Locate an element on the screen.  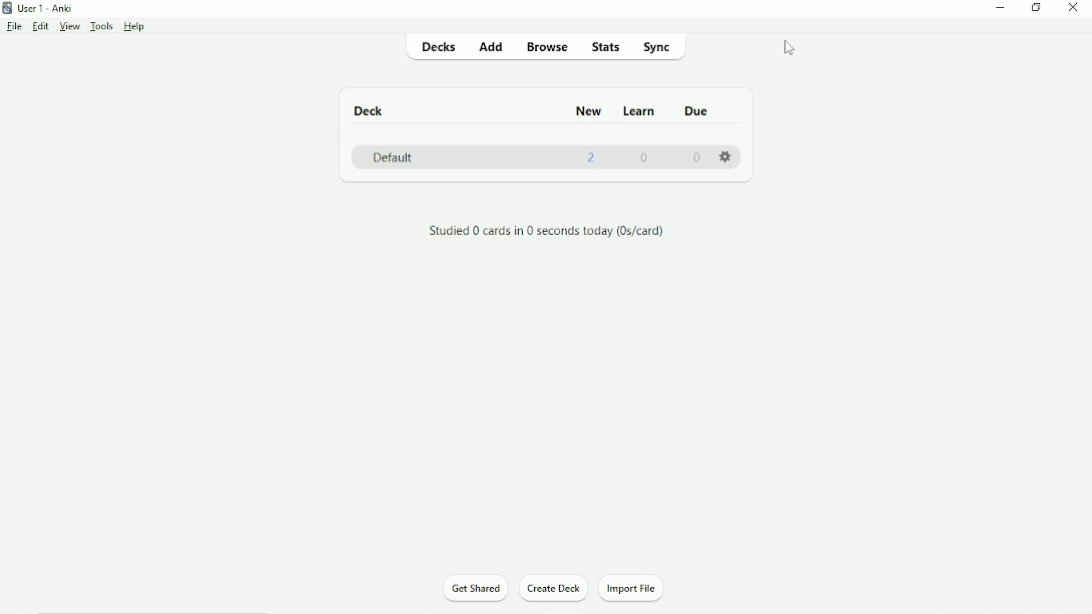
Restore down is located at coordinates (1036, 9).